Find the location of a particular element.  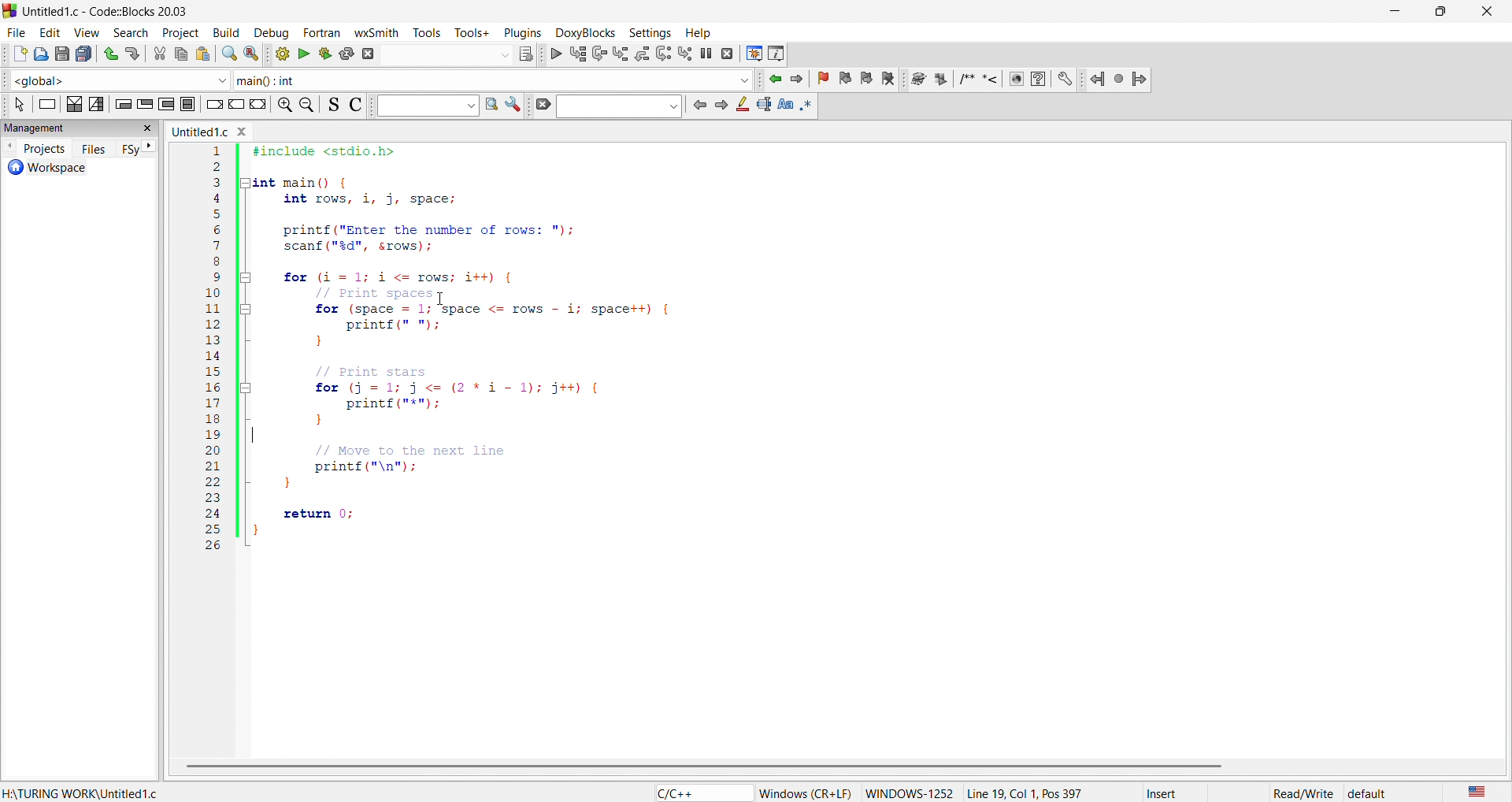

save everything is located at coordinates (85, 54).